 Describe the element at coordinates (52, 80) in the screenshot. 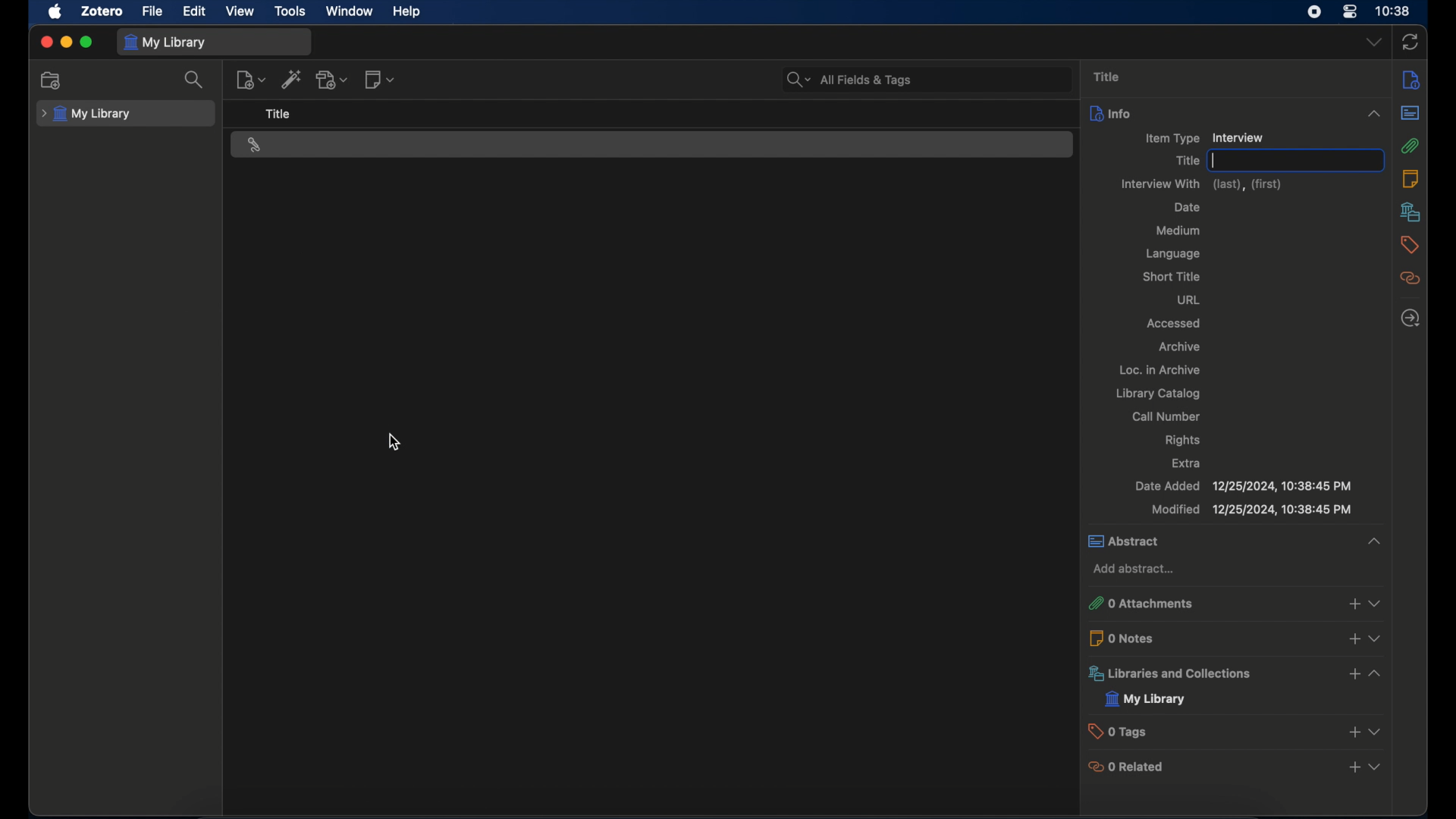

I see `new collection` at that location.